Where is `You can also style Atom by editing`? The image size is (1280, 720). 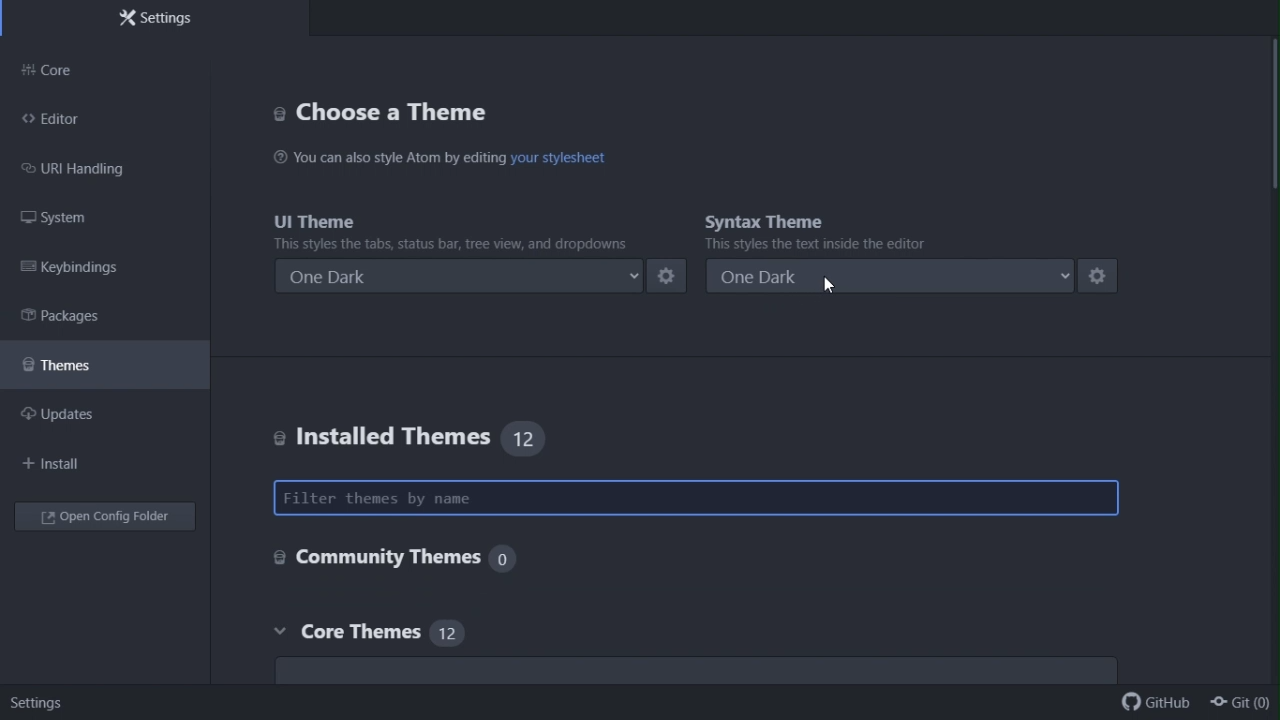 You can also style Atom by editing is located at coordinates (387, 158).